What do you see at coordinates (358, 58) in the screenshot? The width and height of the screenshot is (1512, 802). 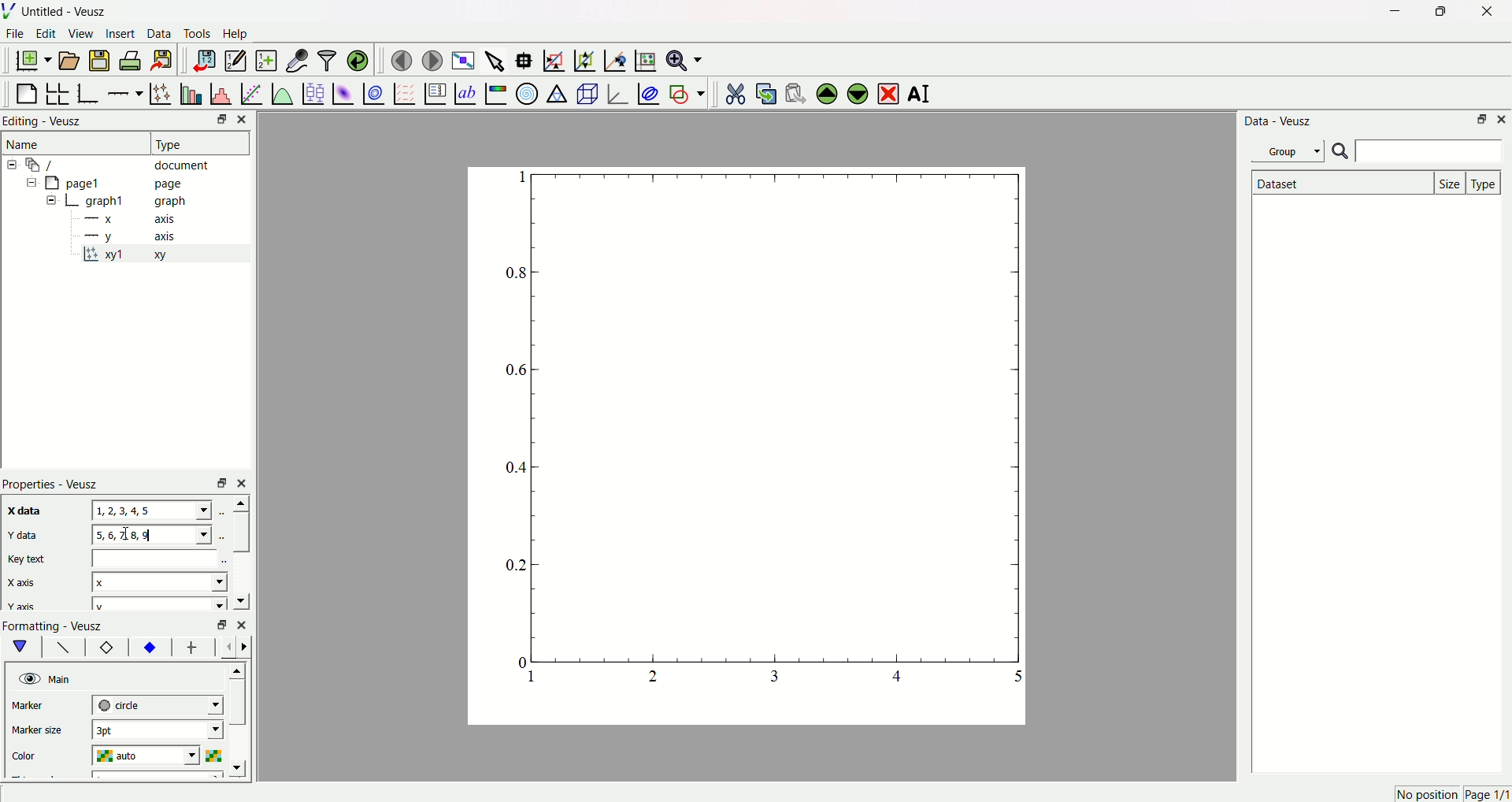 I see `reload linked datasets` at bounding box center [358, 58].